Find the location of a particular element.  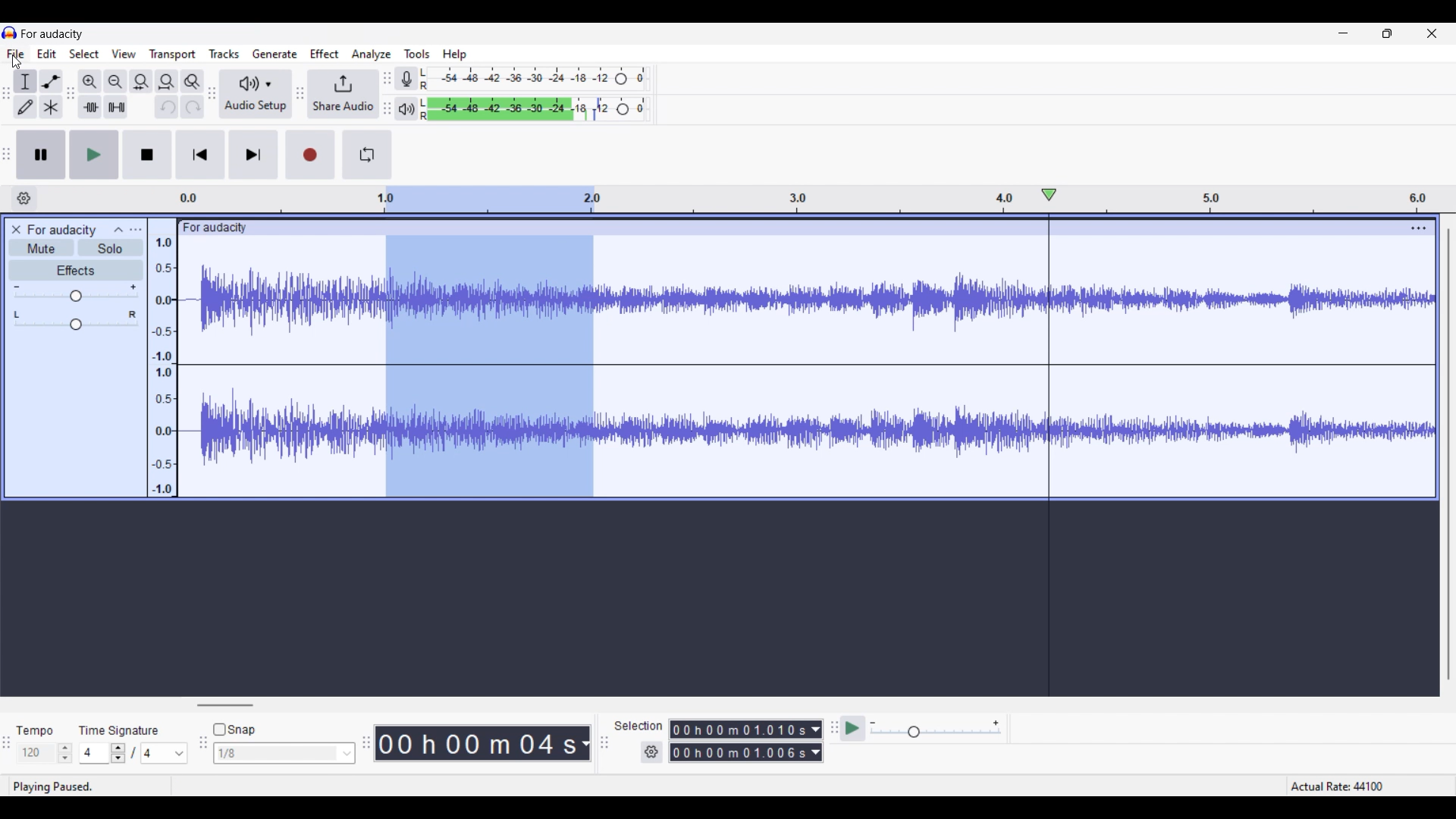

00 h 00 m 07 s is located at coordinates (477, 743).